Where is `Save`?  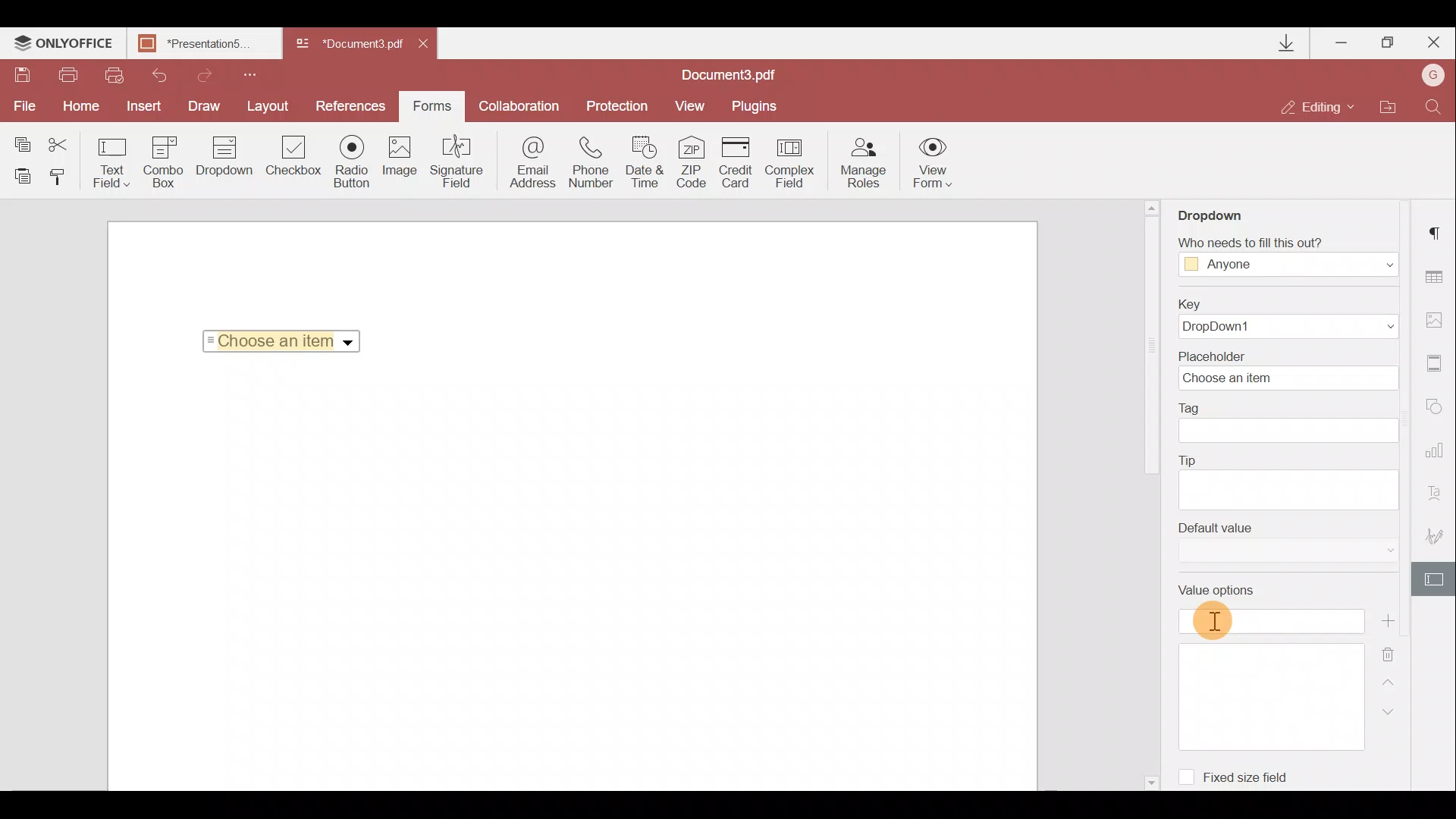 Save is located at coordinates (21, 77).